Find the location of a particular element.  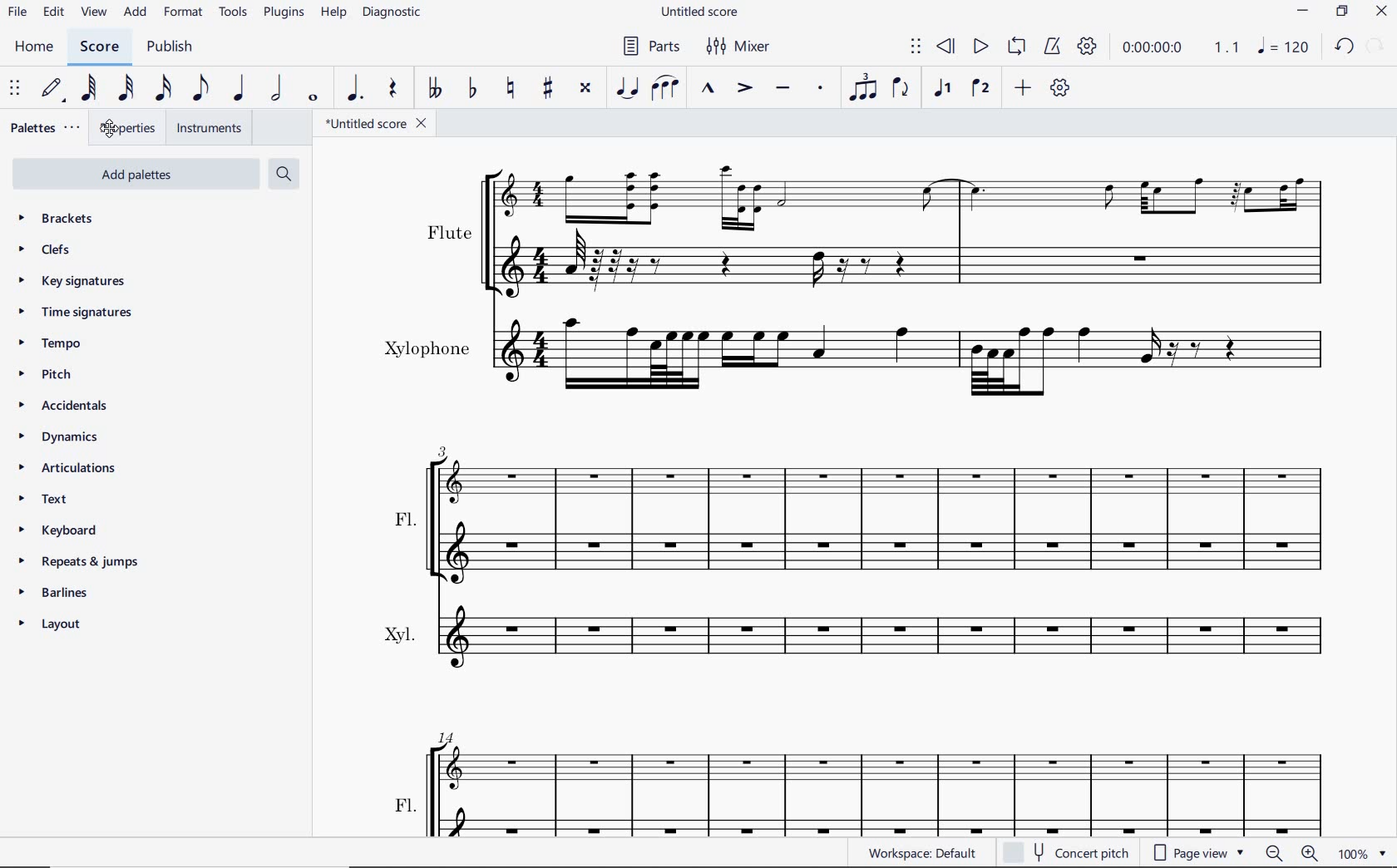

16TH NOTE is located at coordinates (160, 89).